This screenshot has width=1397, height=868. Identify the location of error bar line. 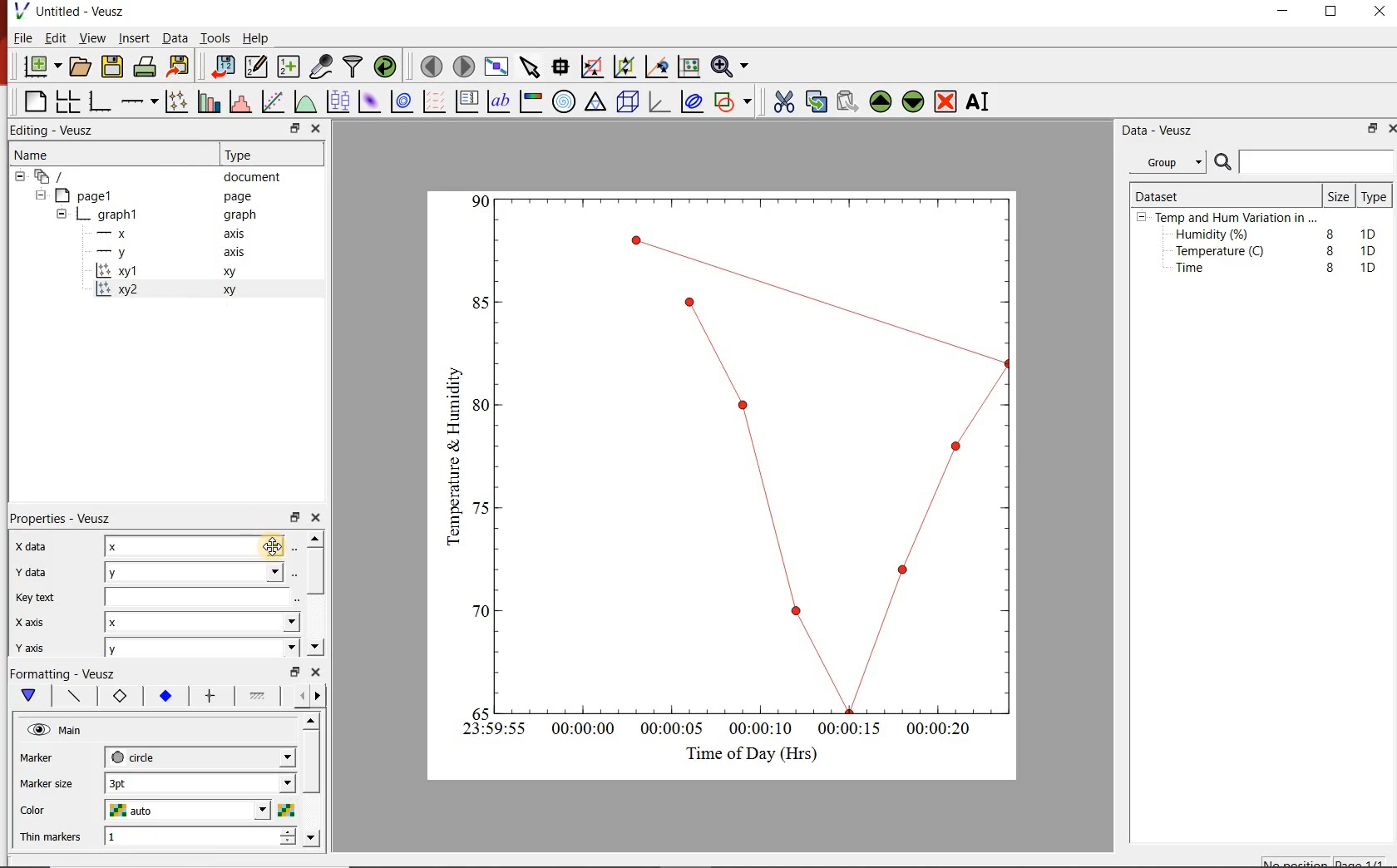
(210, 695).